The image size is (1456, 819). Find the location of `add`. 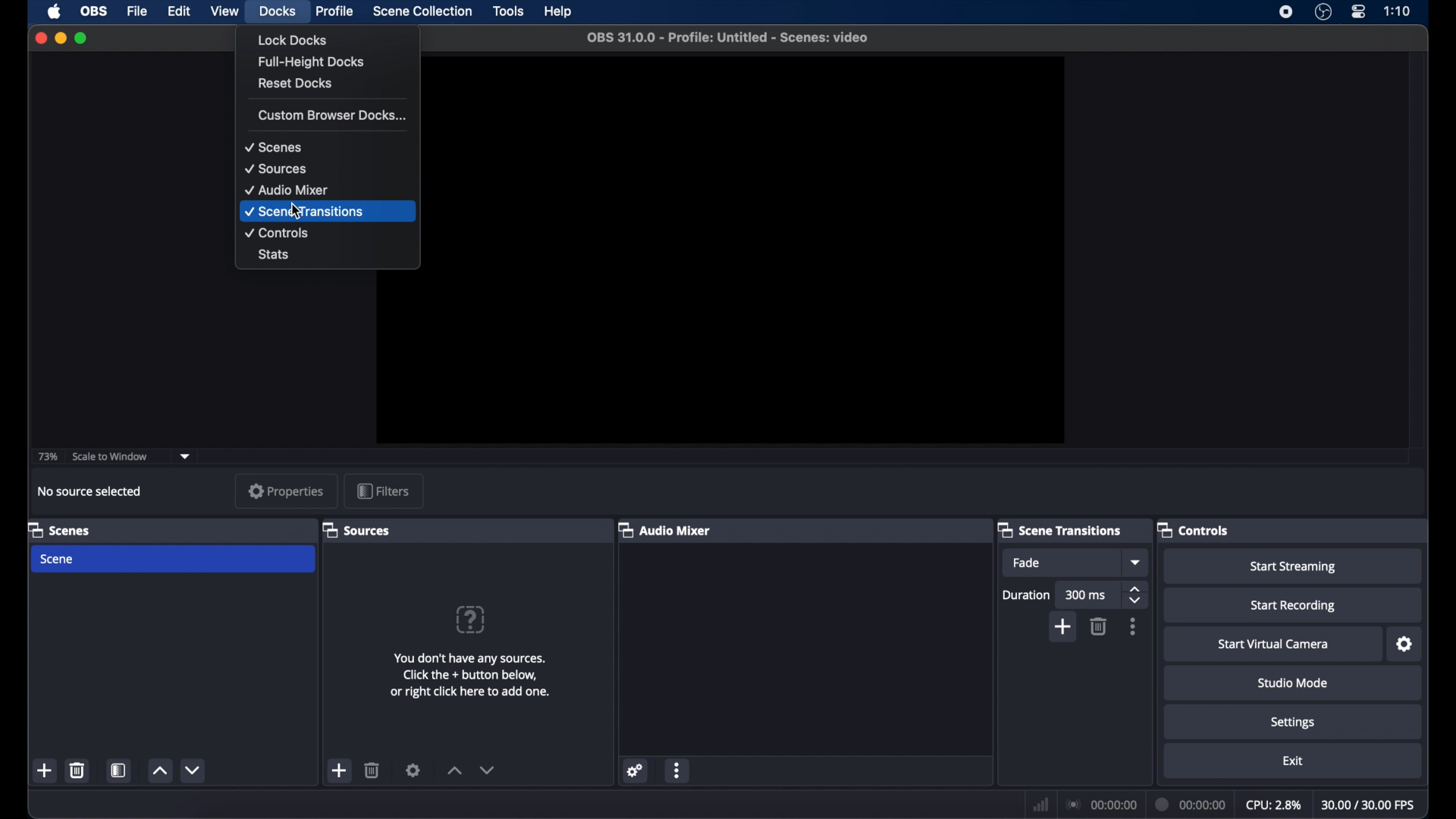

add is located at coordinates (46, 770).